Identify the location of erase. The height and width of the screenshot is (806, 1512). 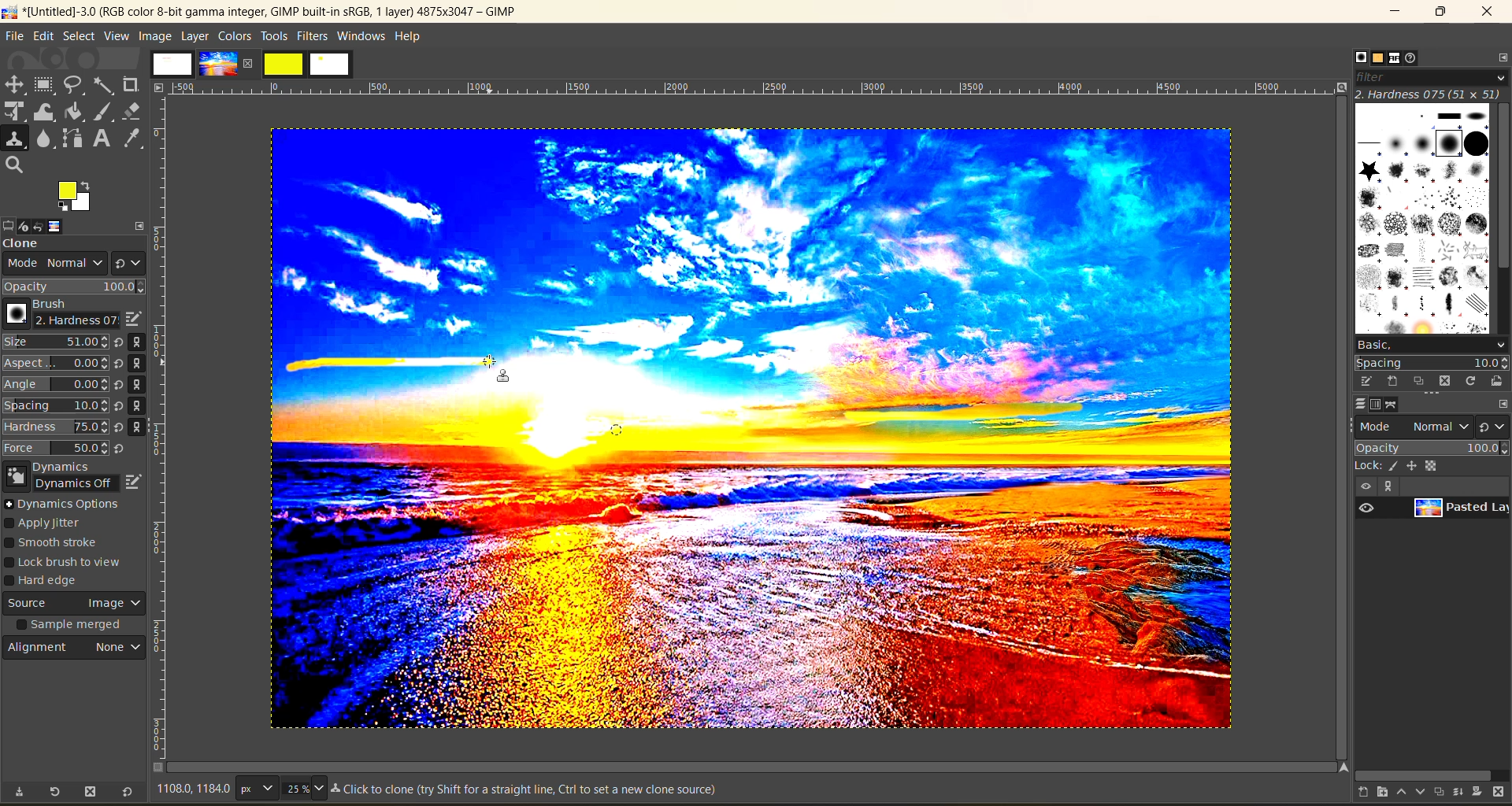
(132, 111).